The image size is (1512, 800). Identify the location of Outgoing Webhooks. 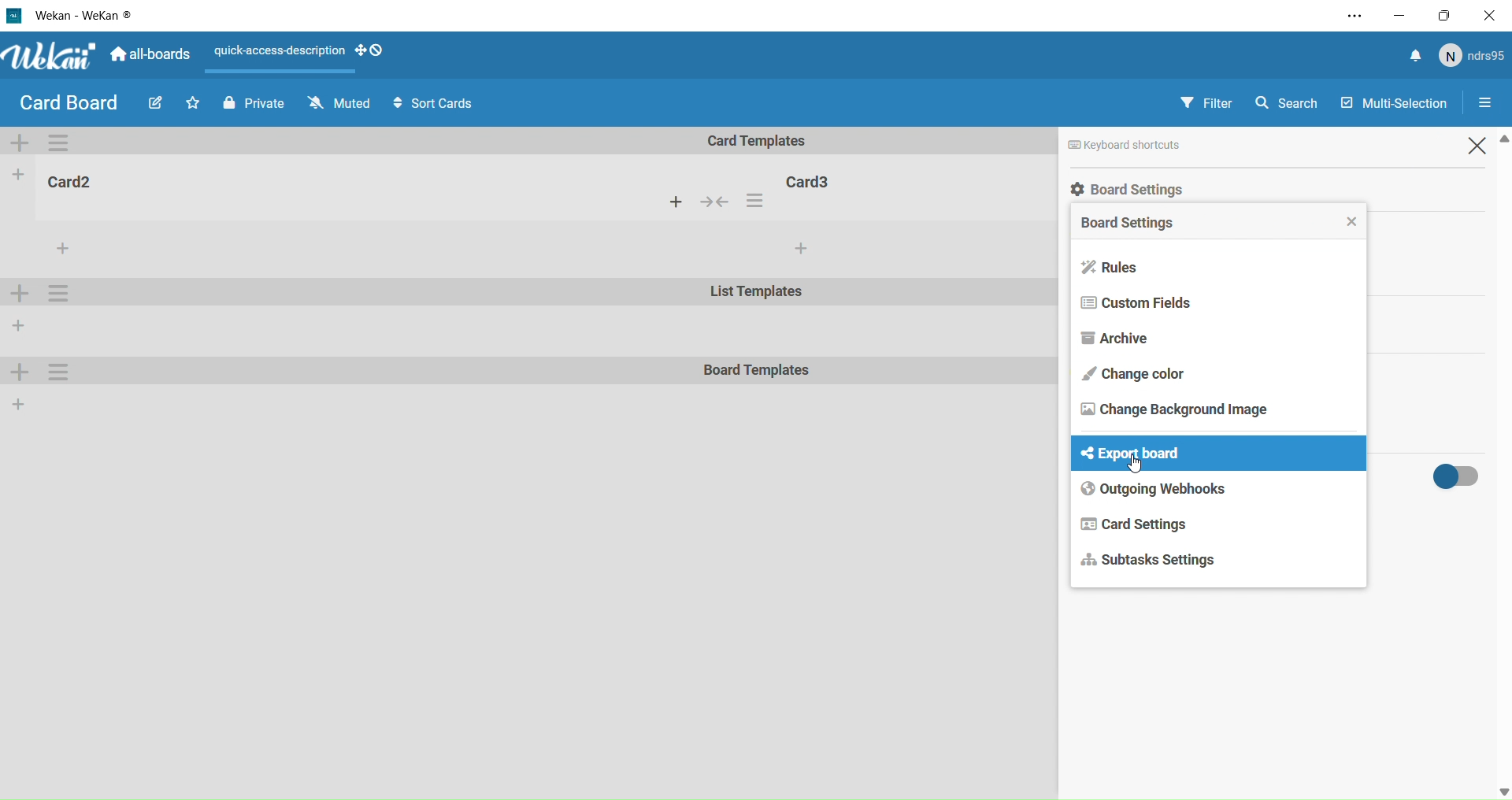
(1164, 490).